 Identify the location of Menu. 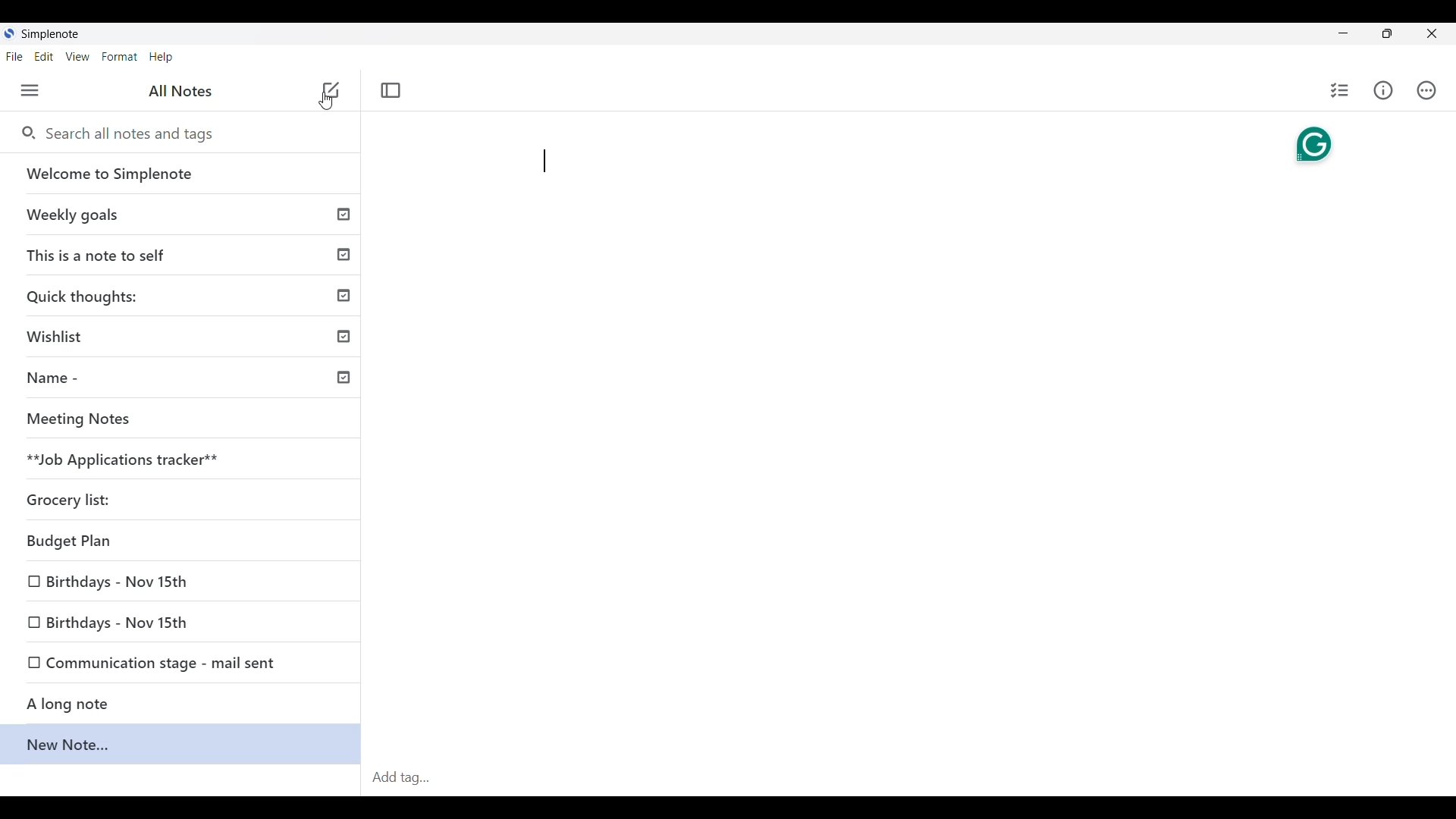
(30, 90).